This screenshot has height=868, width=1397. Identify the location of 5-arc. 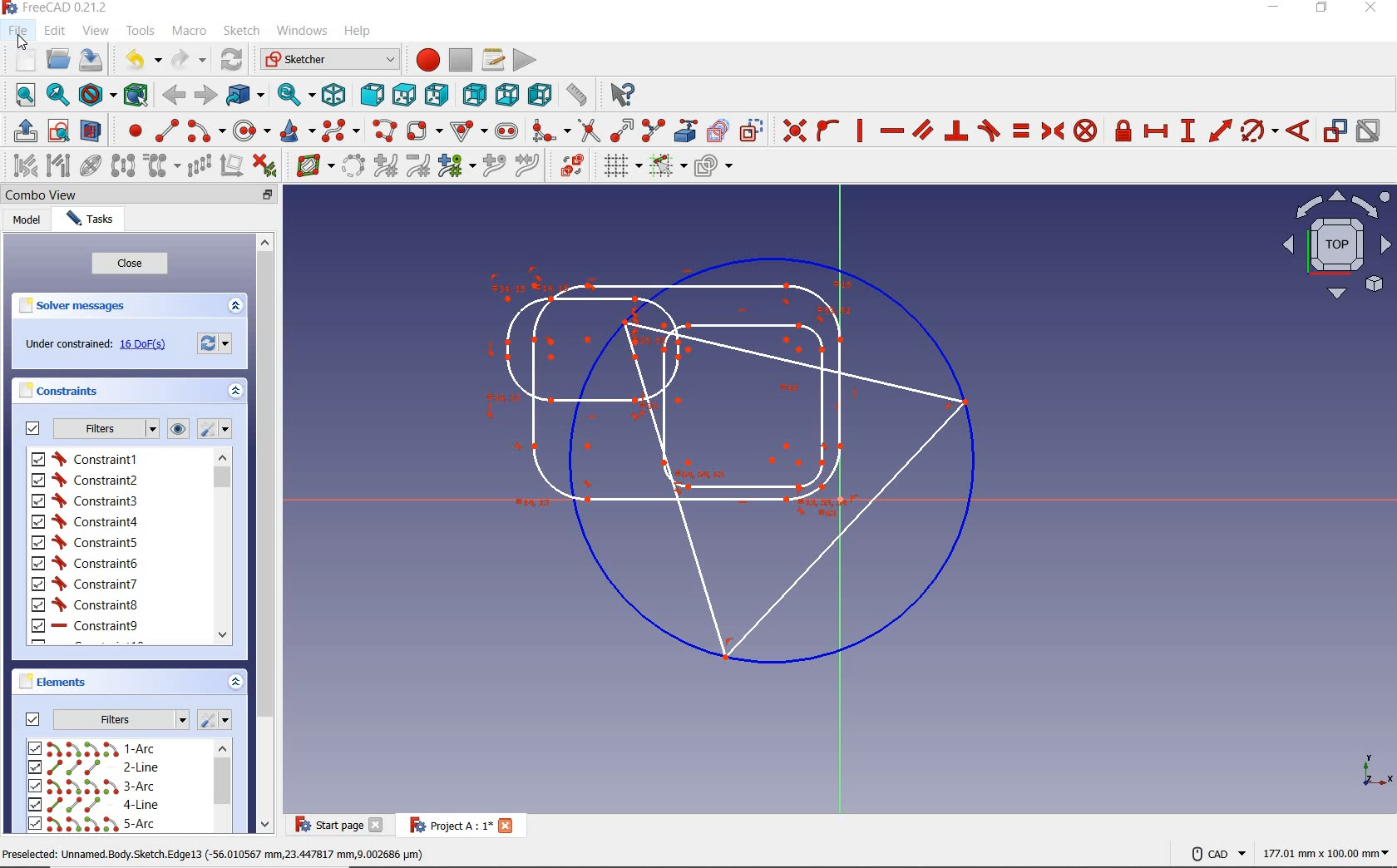
(91, 823).